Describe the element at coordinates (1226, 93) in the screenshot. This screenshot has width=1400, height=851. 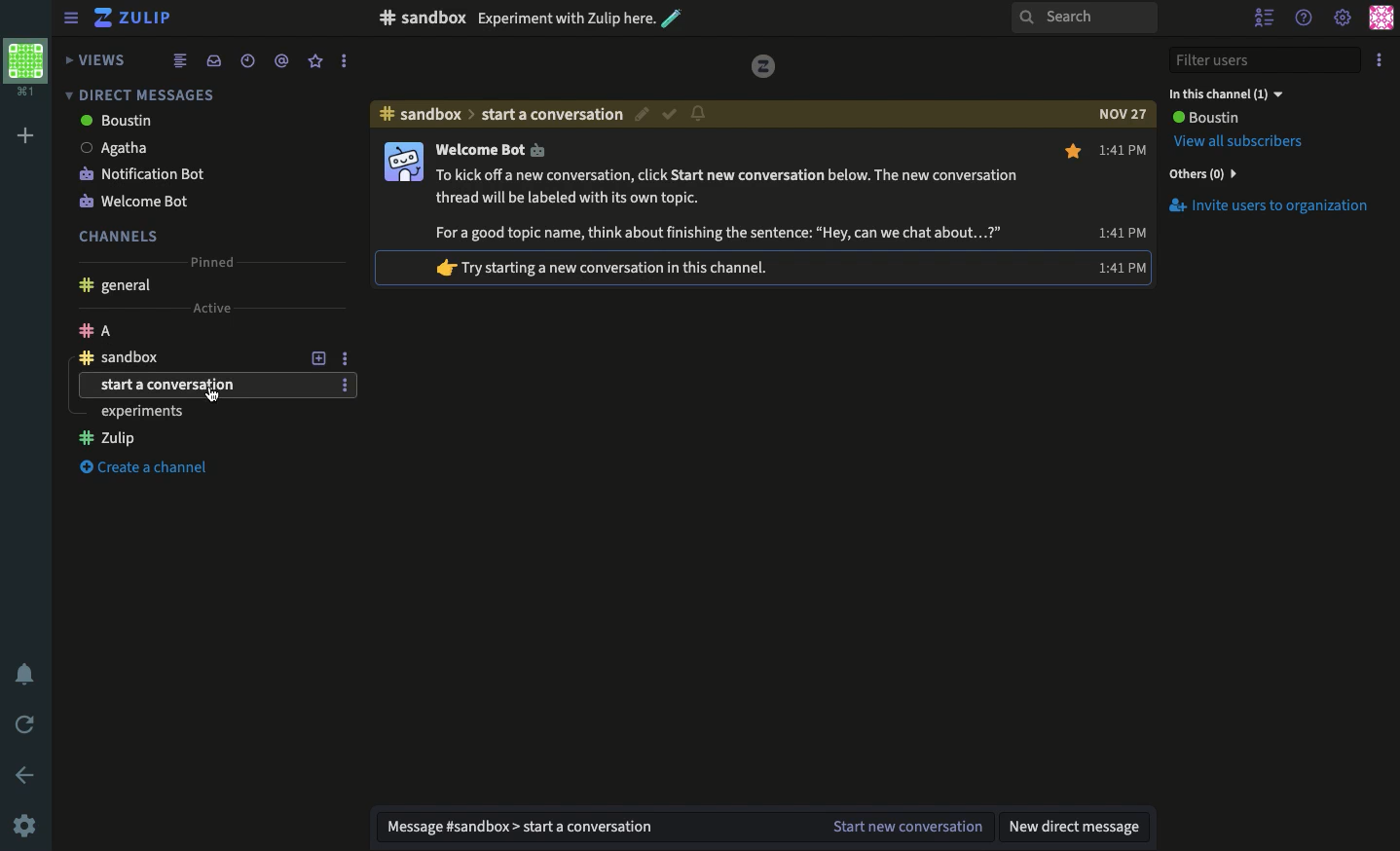
I see `In this channel` at that location.